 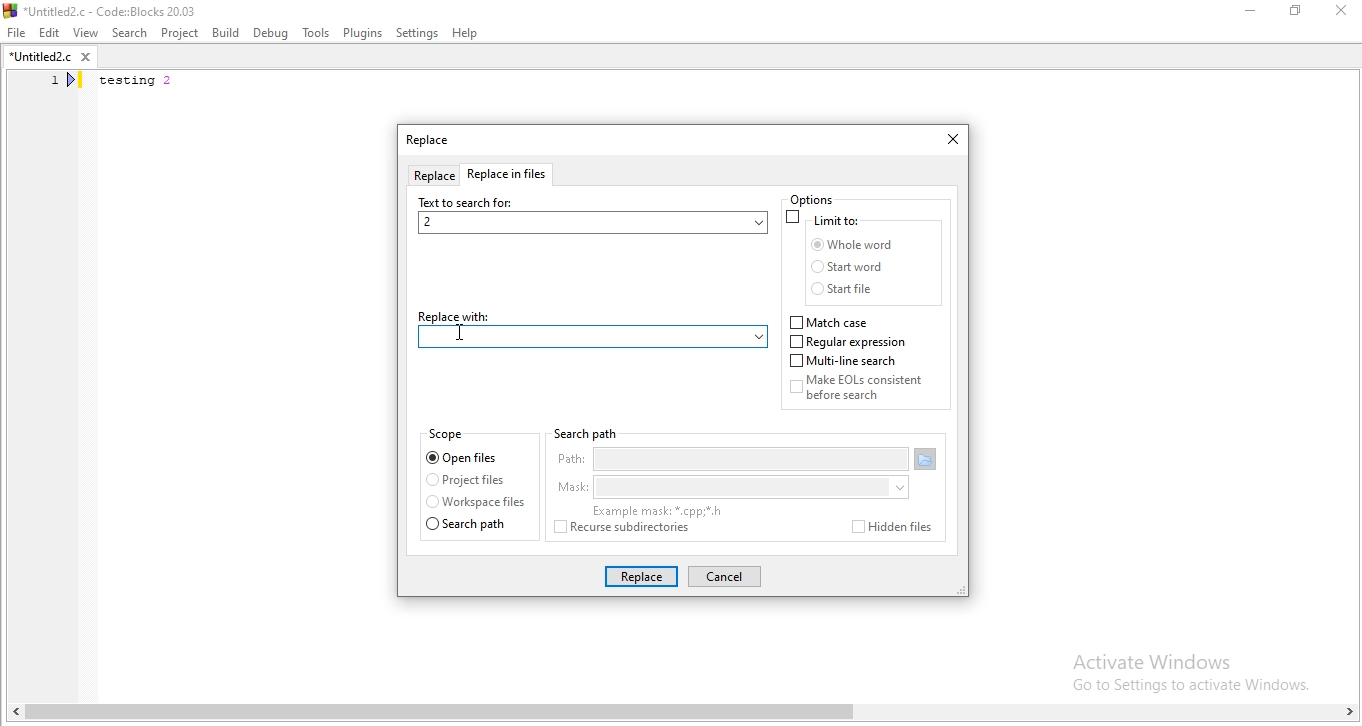 I want to click on View , so click(x=85, y=32).